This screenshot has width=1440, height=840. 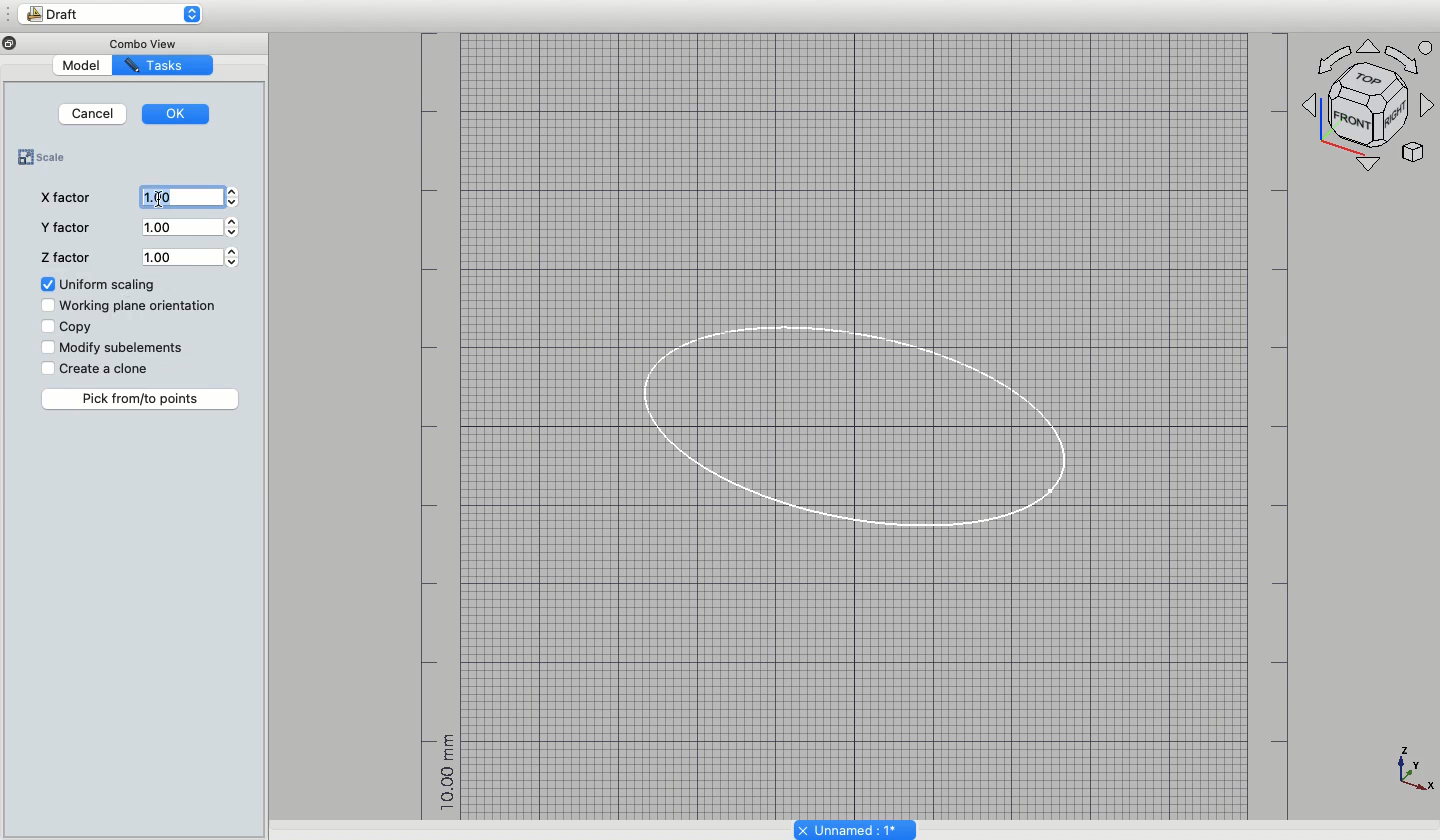 What do you see at coordinates (9, 43) in the screenshot?
I see `close` at bounding box center [9, 43].